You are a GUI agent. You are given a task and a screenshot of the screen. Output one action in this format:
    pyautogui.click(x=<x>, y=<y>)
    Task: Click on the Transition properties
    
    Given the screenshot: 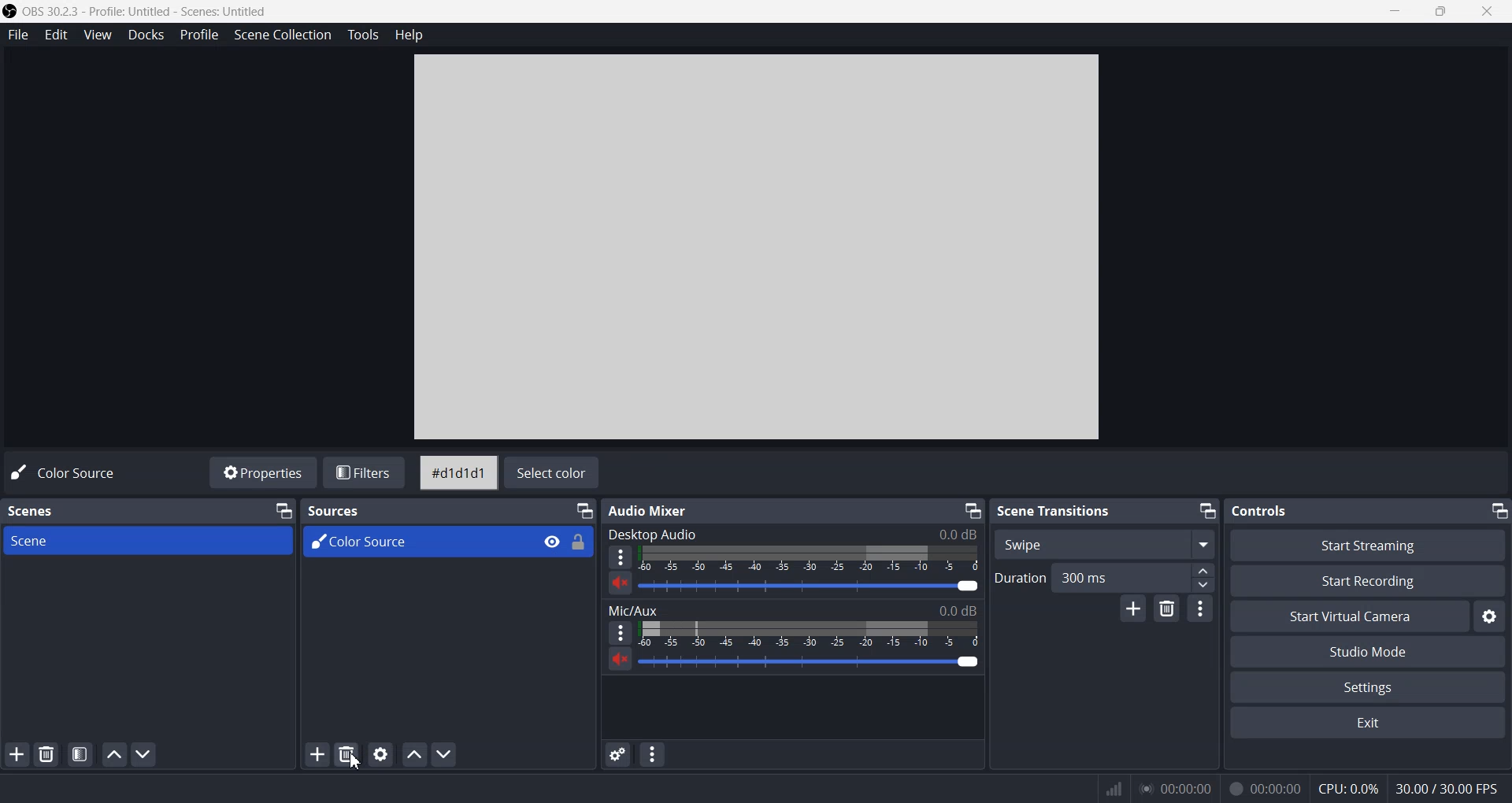 What is the action you would take?
    pyautogui.click(x=1202, y=608)
    